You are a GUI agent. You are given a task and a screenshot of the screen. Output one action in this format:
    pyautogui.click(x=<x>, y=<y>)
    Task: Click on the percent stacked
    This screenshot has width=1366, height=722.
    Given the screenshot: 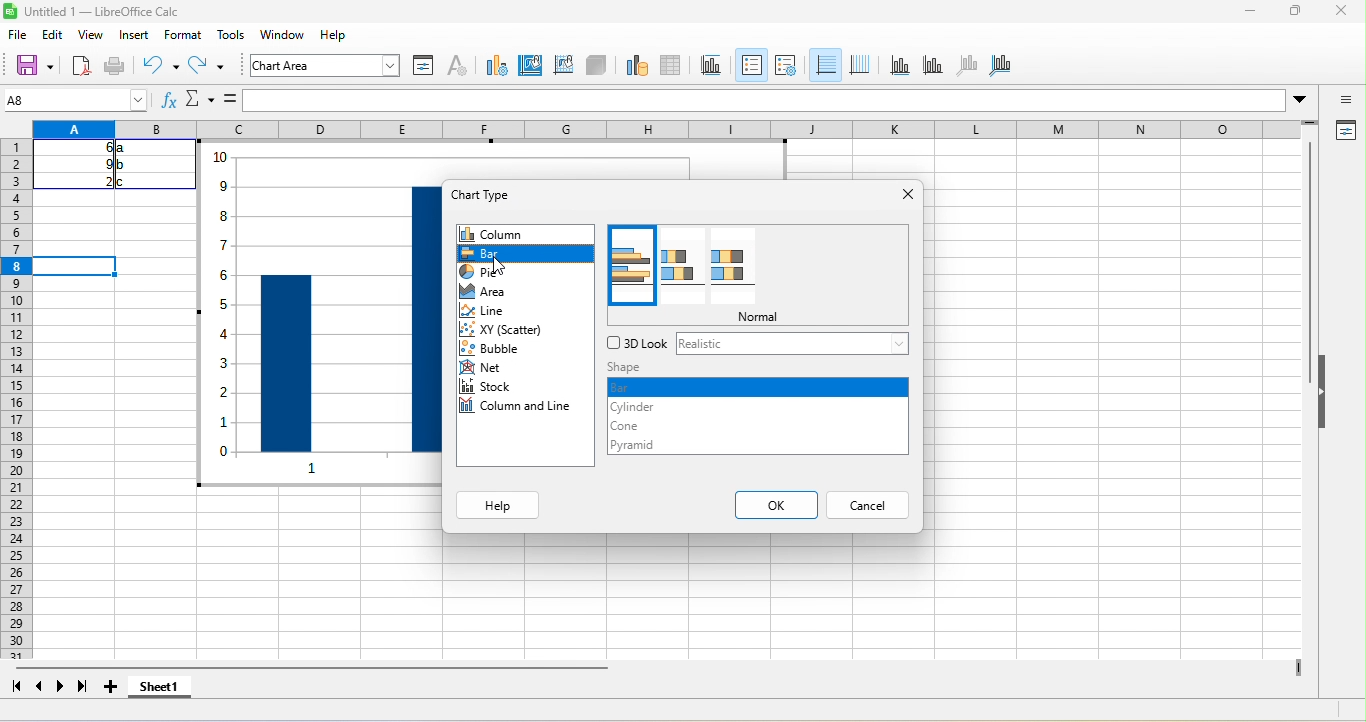 What is the action you would take?
    pyautogui.click(x=727, y=268)
    